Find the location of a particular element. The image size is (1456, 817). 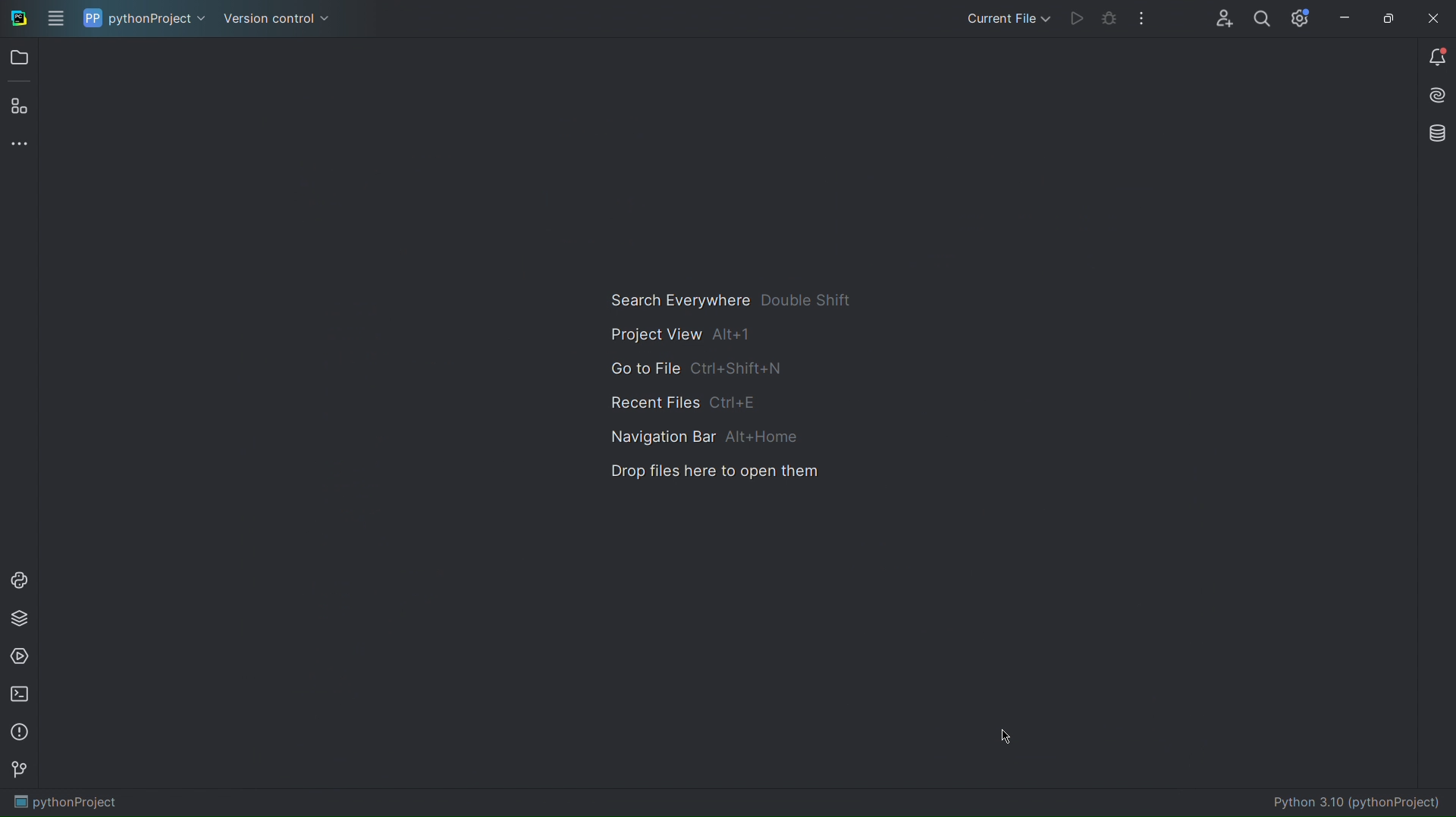

pythonProject is located at coordinates (144, 17).